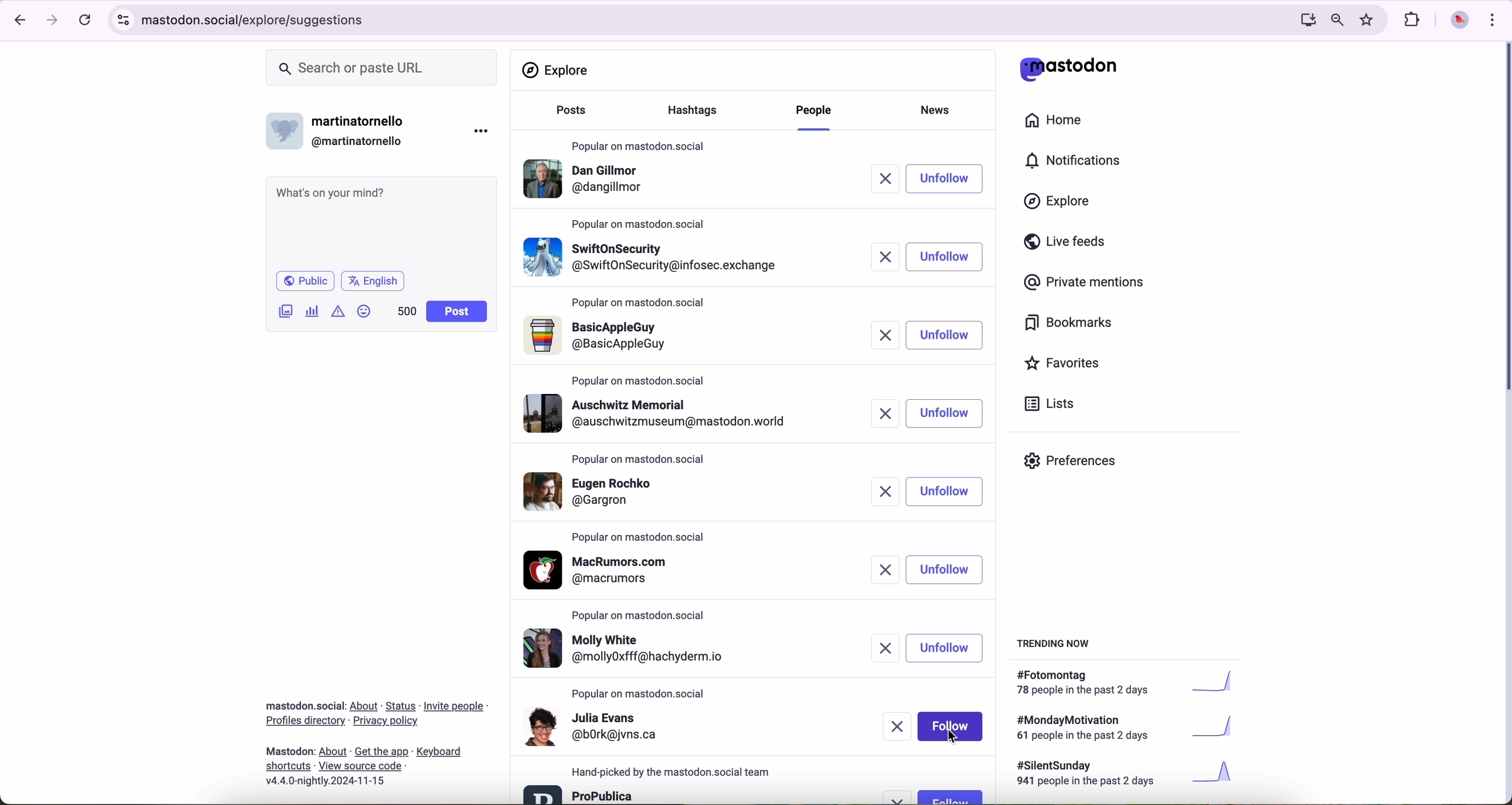 The height and width of the screenshot is (805, 1512). What do you see at coordinates (900, 797) in the screenshot?
I see `remove` at bounding box center [900, 797].